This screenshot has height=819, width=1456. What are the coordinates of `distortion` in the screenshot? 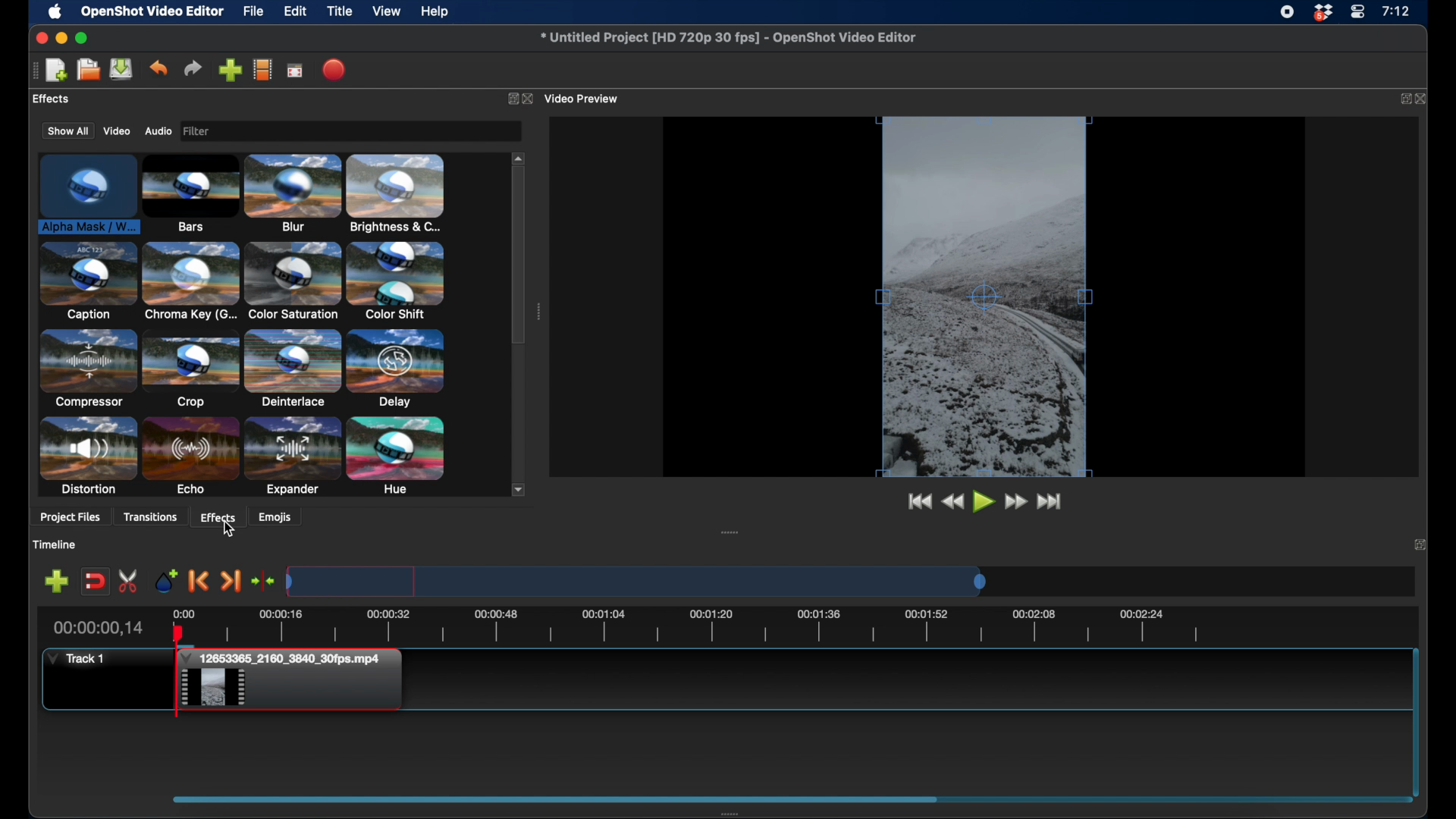 It's located at (86, 456).